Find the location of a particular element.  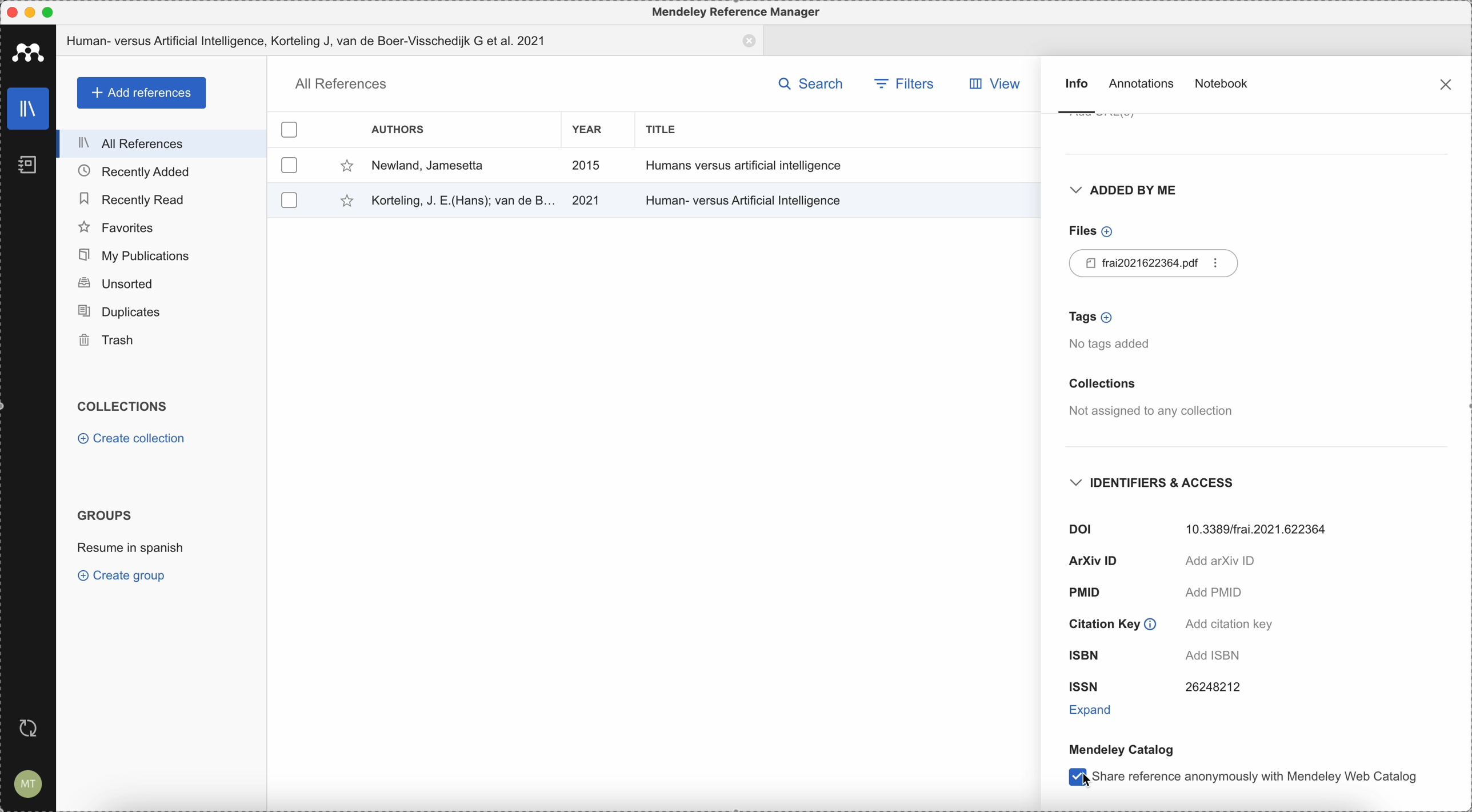

favorites is located at coordinates (162, 226).